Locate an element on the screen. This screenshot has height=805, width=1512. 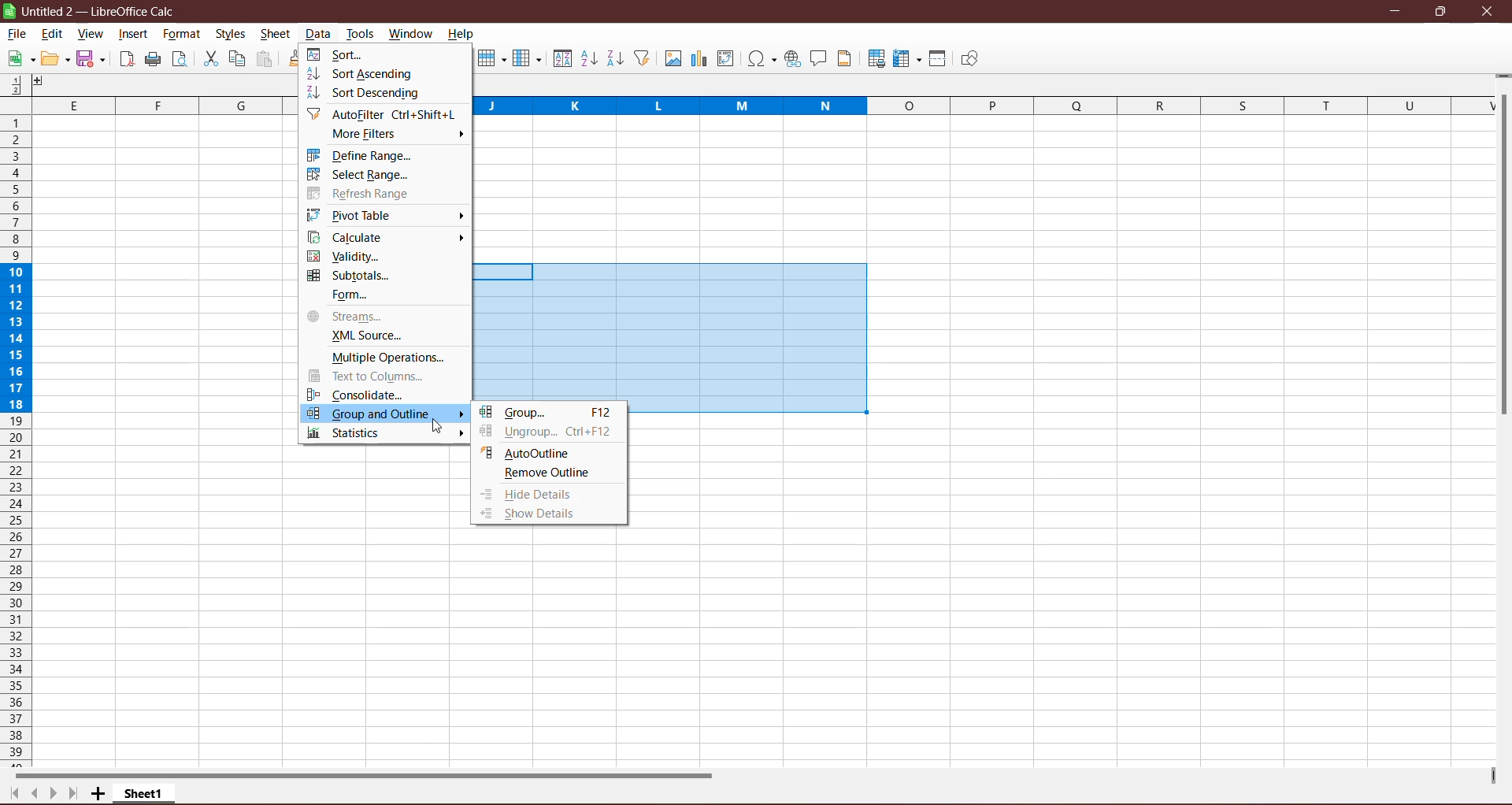
Rows is located at coordinates (14, 441).